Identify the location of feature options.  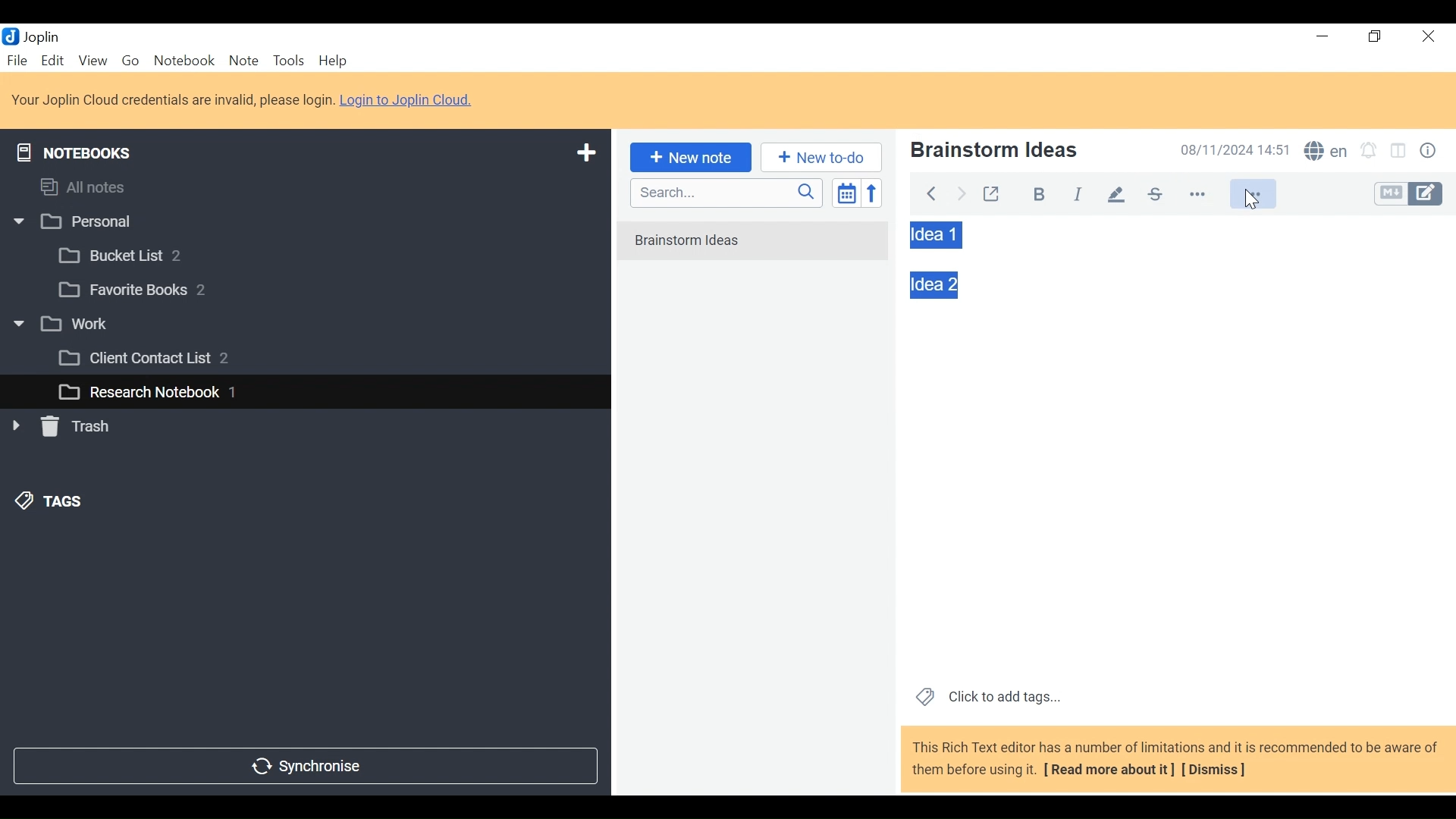
(1260, 196).